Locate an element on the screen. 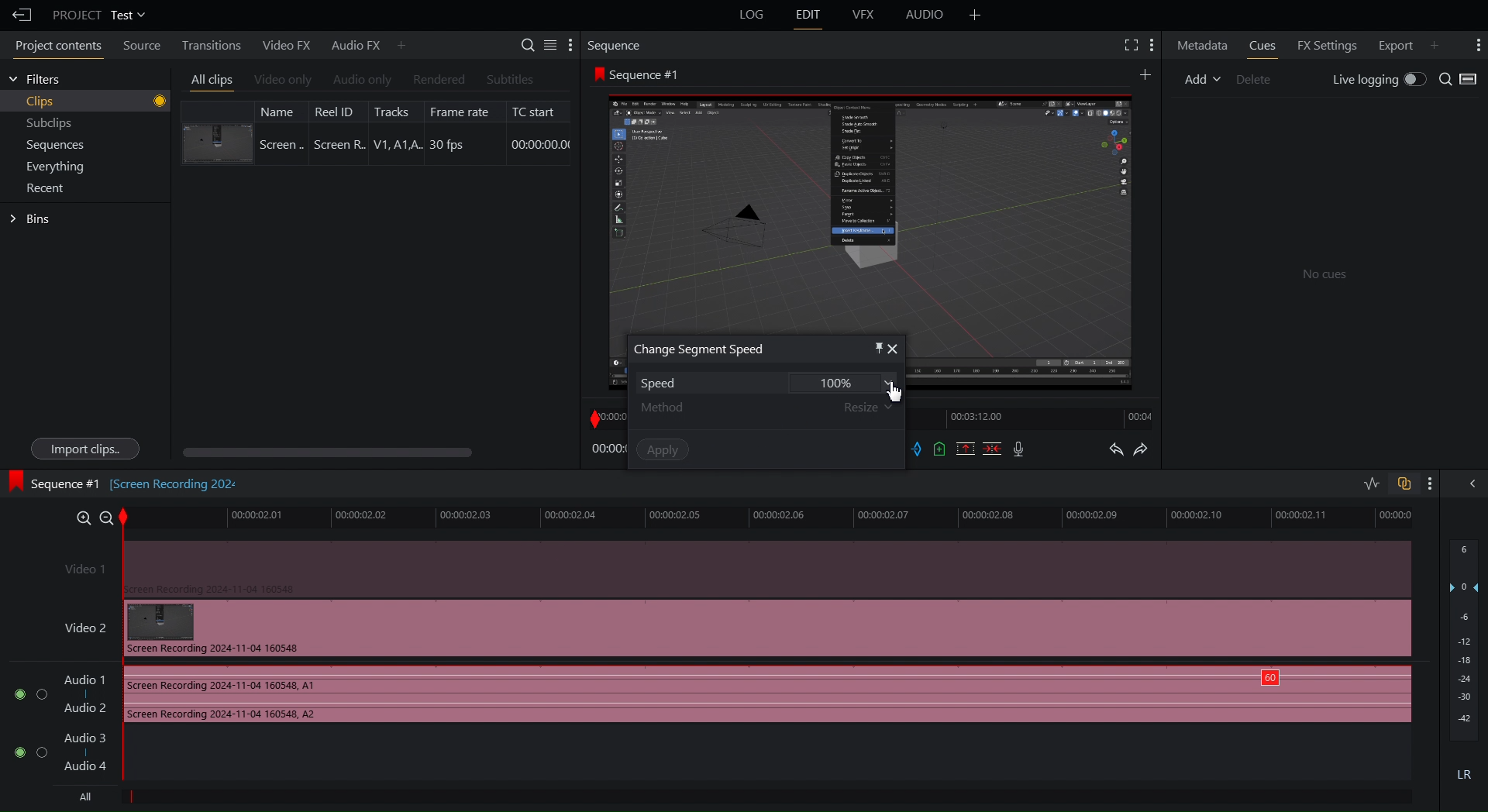  Sequence Controls is located at coordinates (970, 450).